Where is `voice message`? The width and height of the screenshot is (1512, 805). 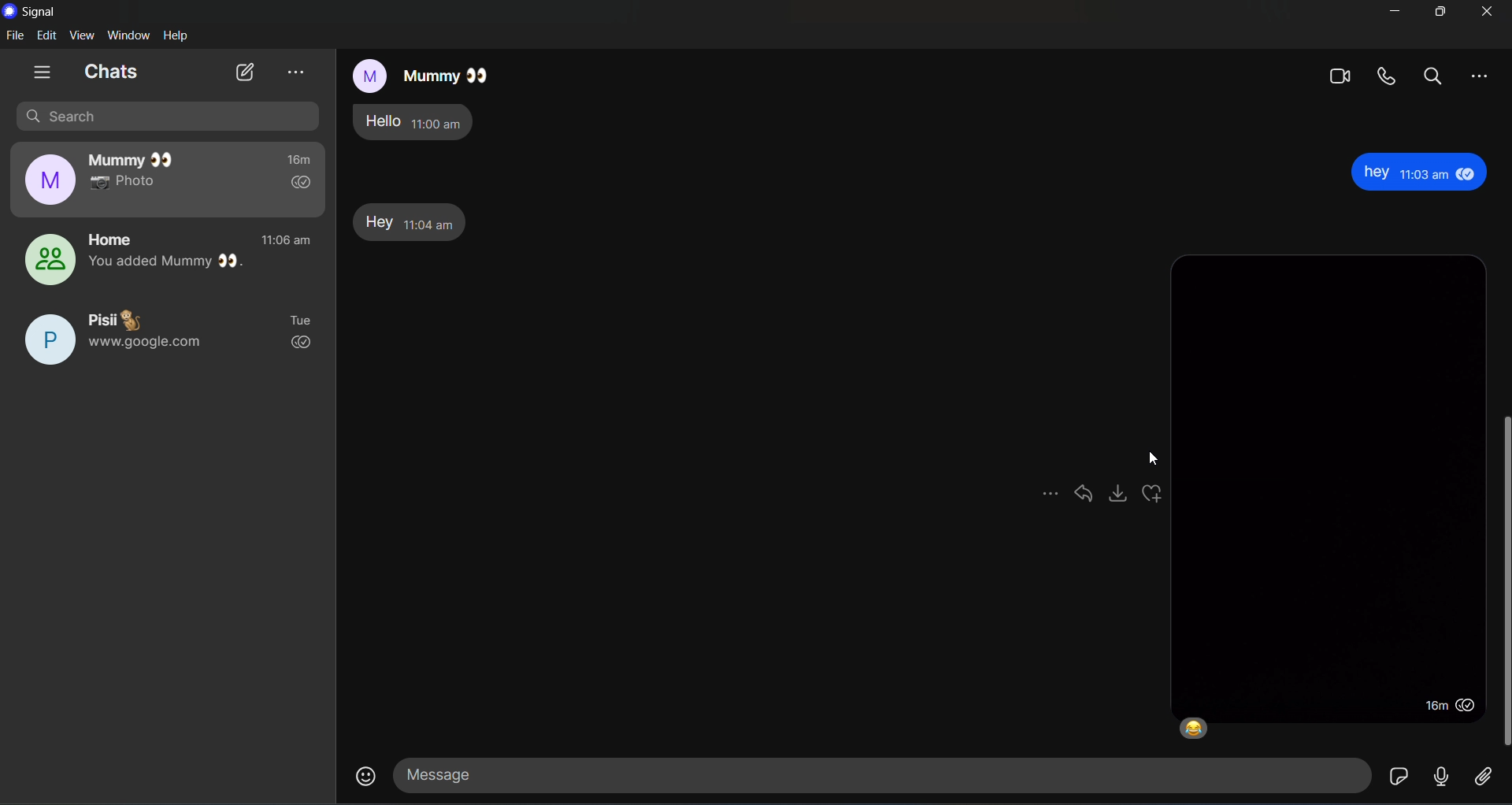
voice message is located at coordinates (1443, 776).